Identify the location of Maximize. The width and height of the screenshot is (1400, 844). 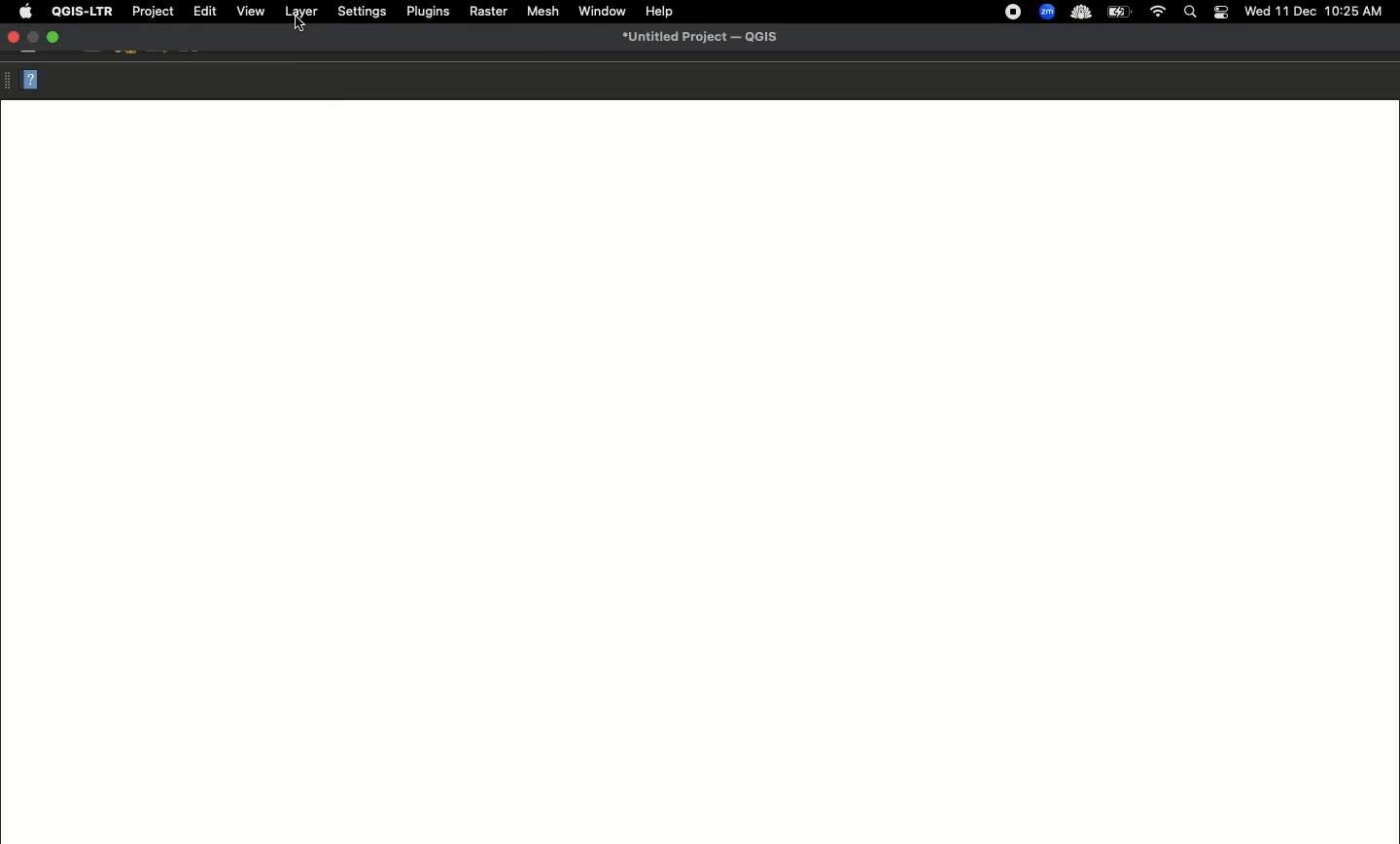
(56, 38).